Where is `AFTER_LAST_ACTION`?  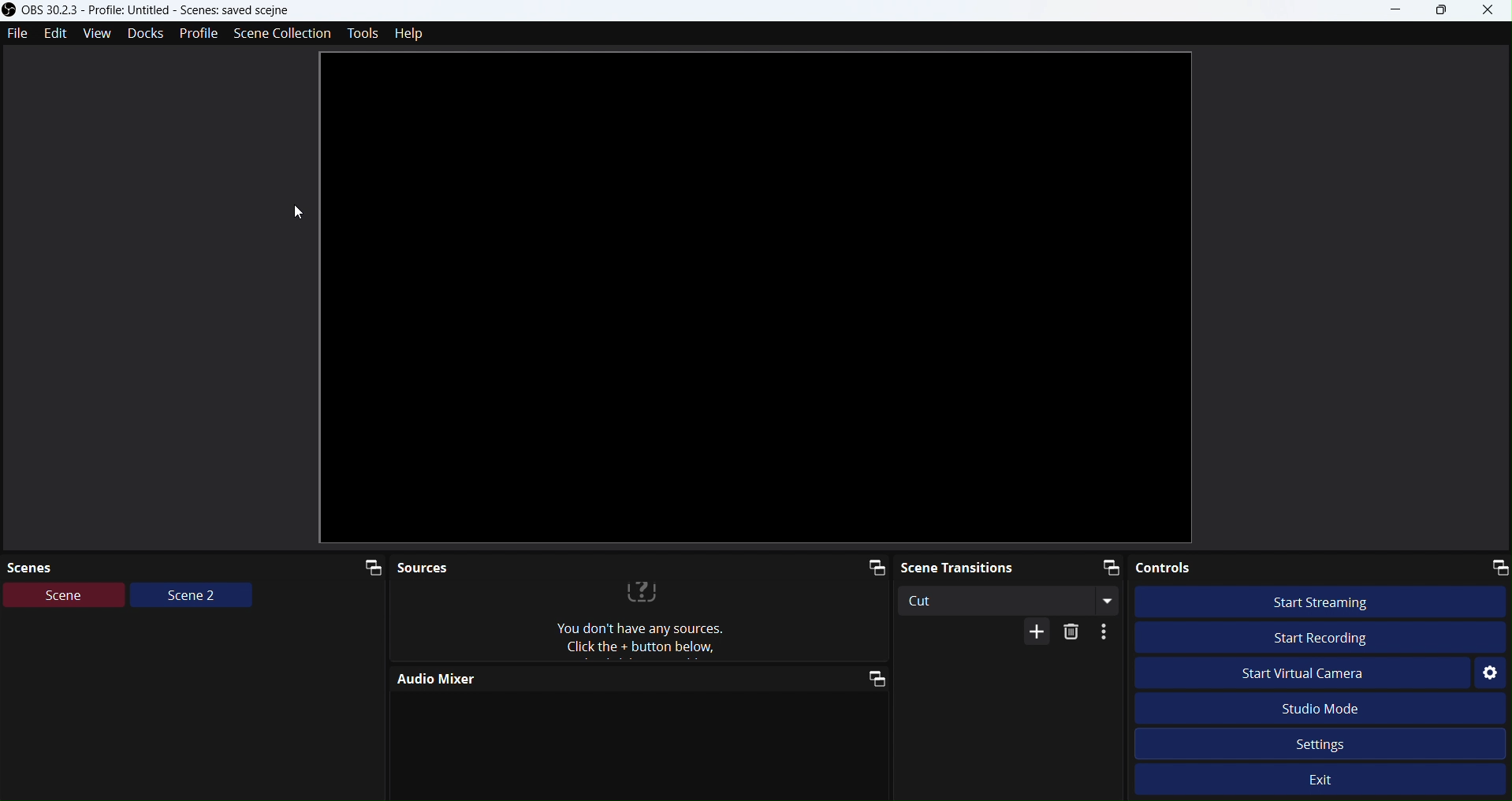
AFTER_LAST_ACTION is located at coordinates (752, 300).